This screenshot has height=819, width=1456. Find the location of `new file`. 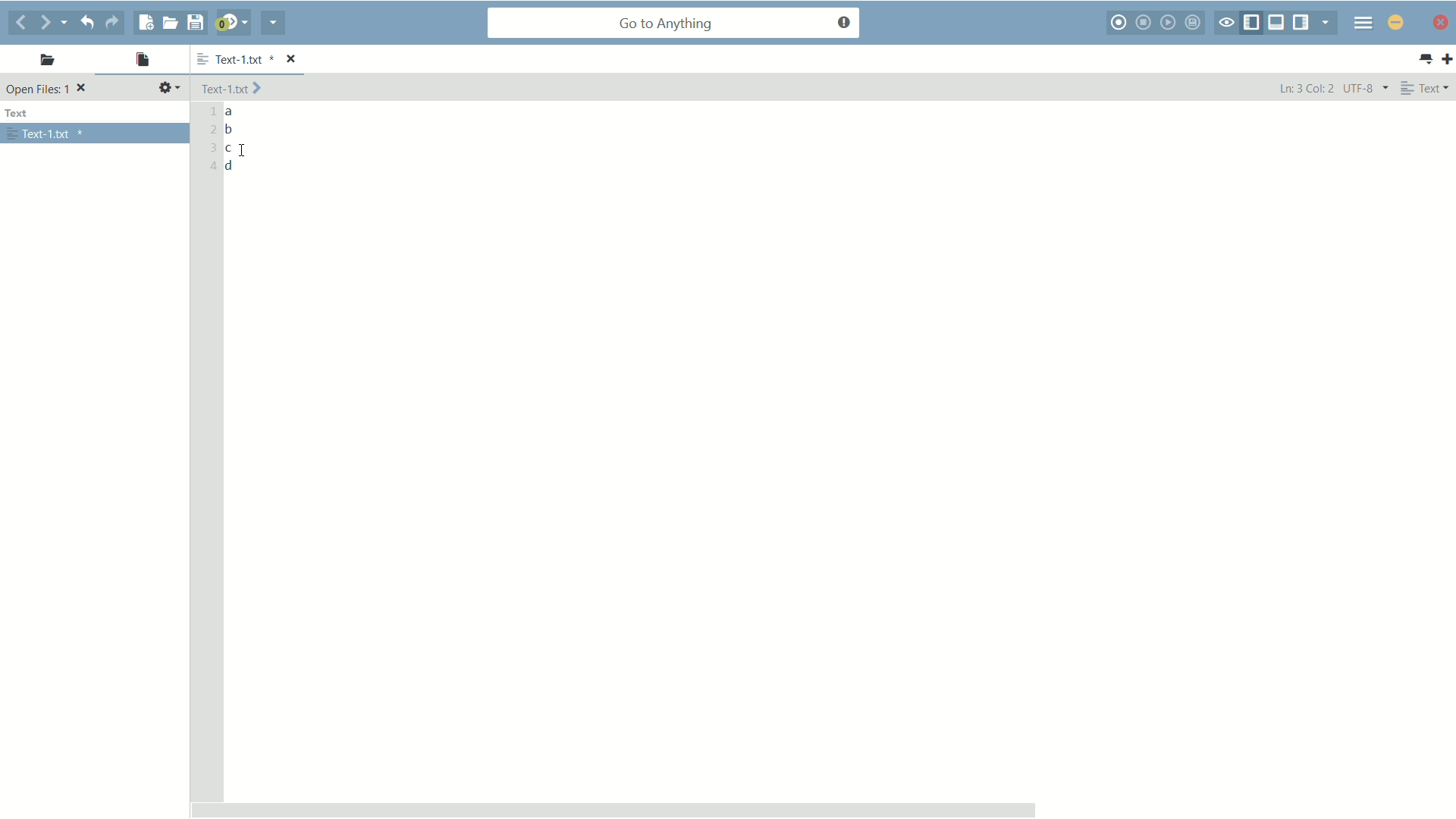

new file is located at coordinates (145, 23).